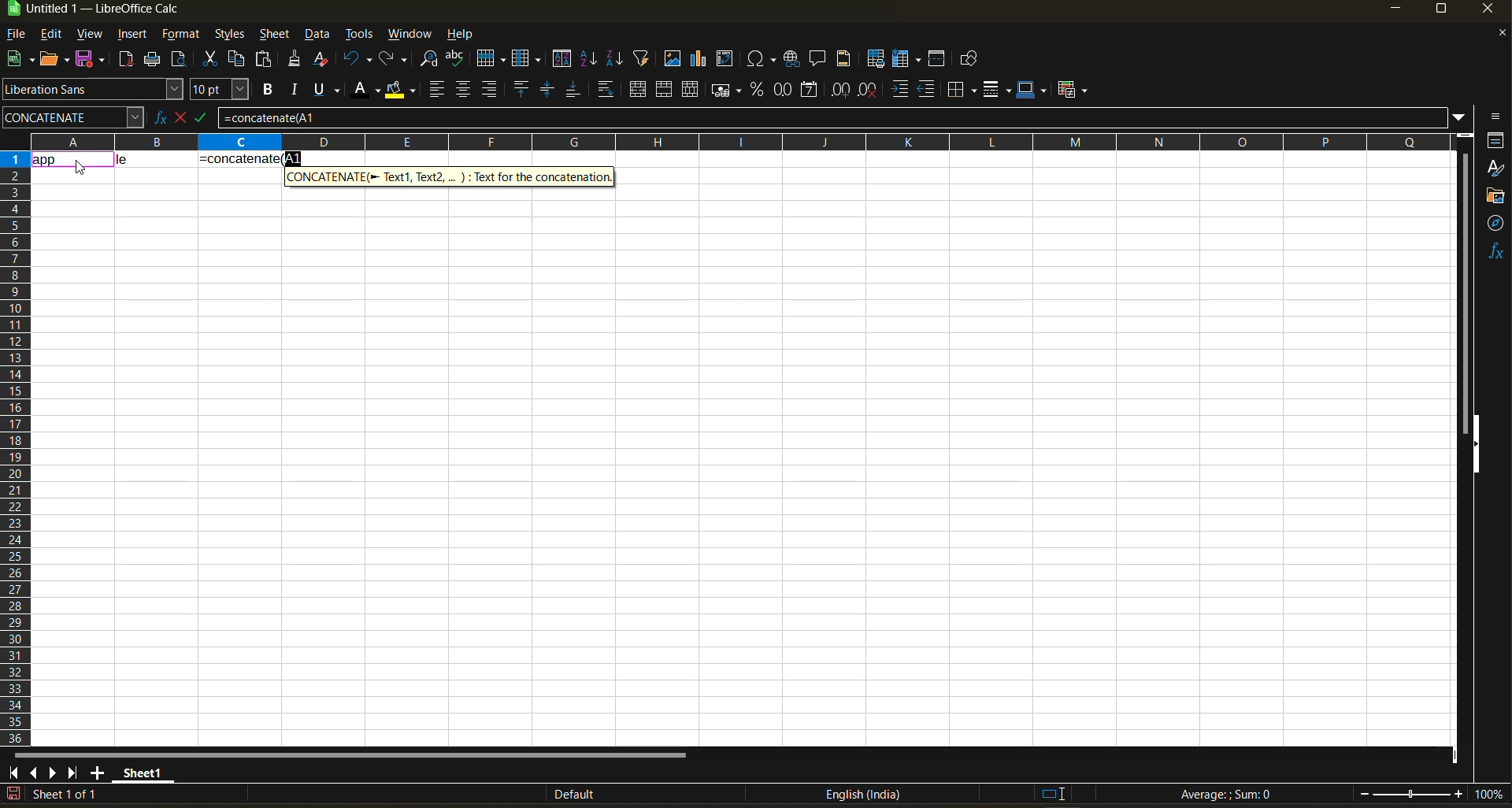  Describe the element at coordinates (439, 90) in the screenshot. I see `align left` at that location.